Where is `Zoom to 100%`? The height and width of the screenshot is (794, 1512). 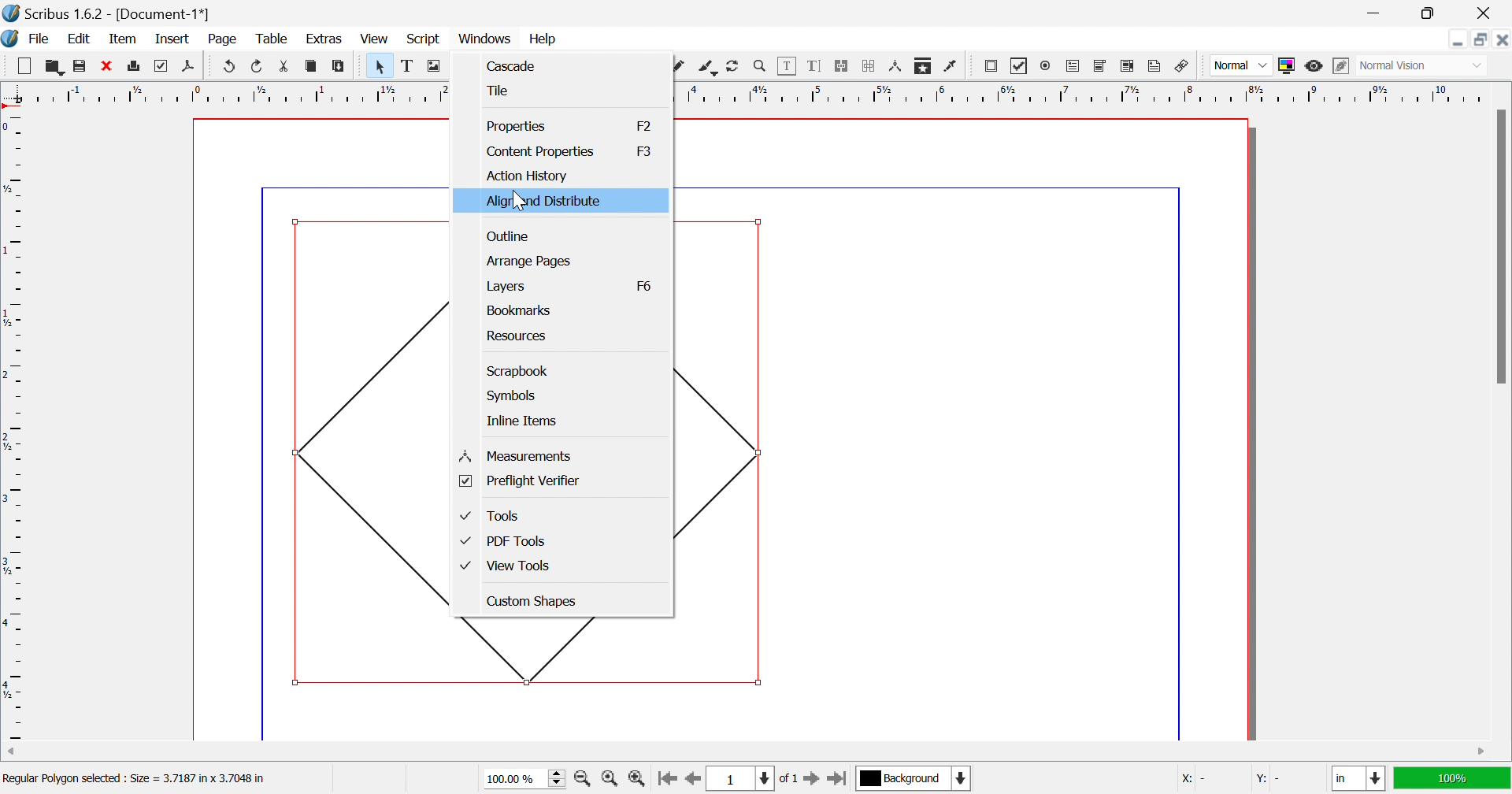
Zoom to 100% is located at coordinates (612, 781).